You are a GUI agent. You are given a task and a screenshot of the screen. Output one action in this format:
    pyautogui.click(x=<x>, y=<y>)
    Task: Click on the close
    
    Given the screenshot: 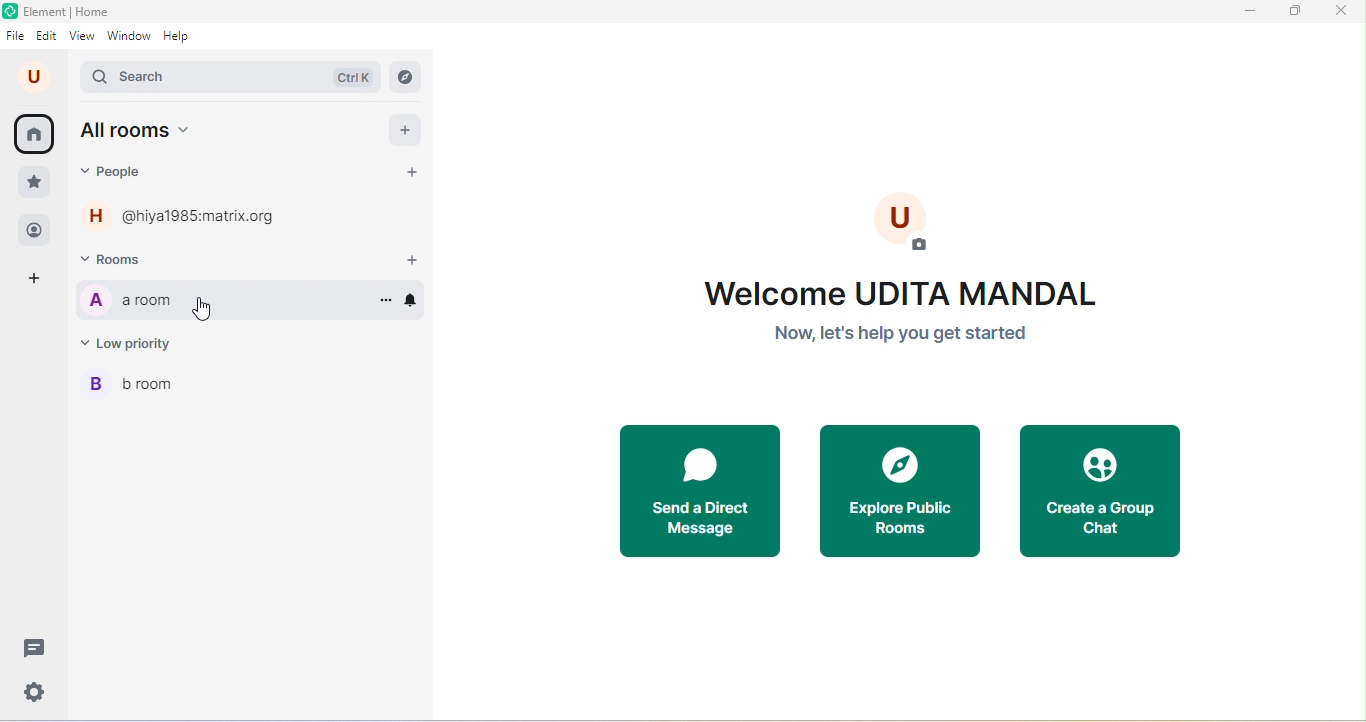 What is the action you would take?
    pyautogui.click(x=1343, y=12)
    